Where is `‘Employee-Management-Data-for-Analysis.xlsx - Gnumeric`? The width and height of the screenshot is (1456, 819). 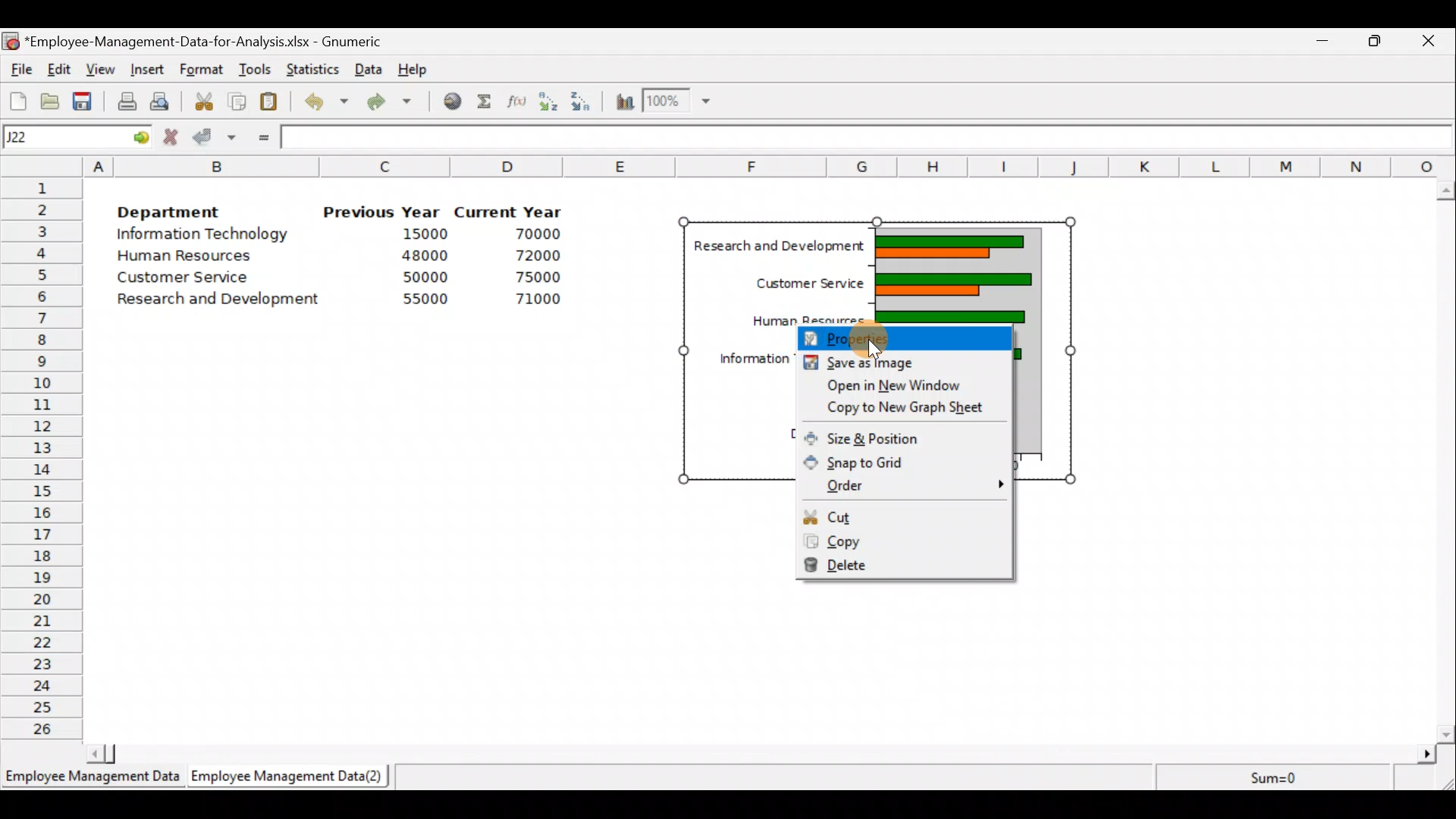 ‘Employee-Management-Data-for-Analysis.xlsx - Gnumeric is located at coordinates (219, 42).